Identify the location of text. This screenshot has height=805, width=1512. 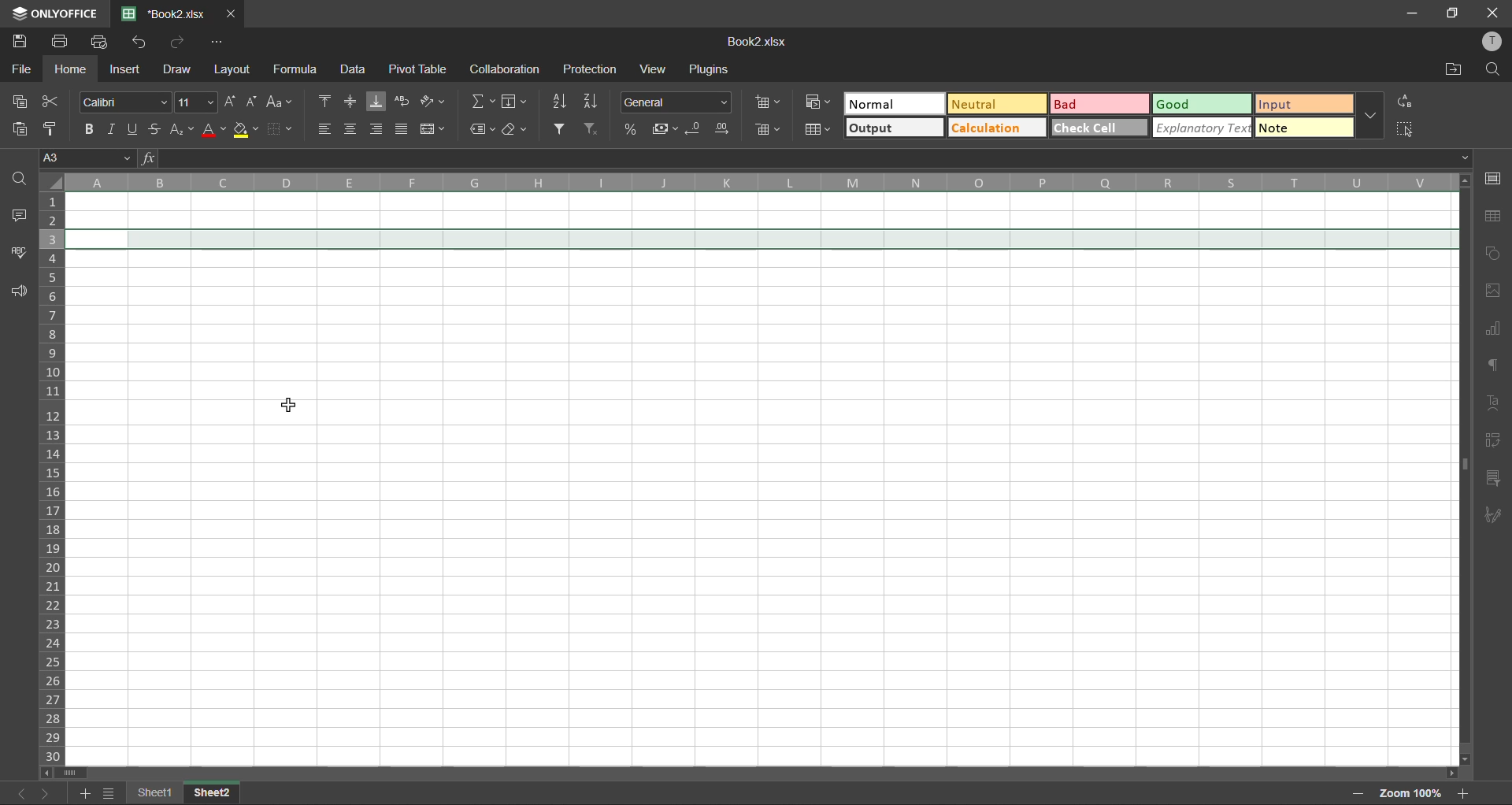
(1497, 401).